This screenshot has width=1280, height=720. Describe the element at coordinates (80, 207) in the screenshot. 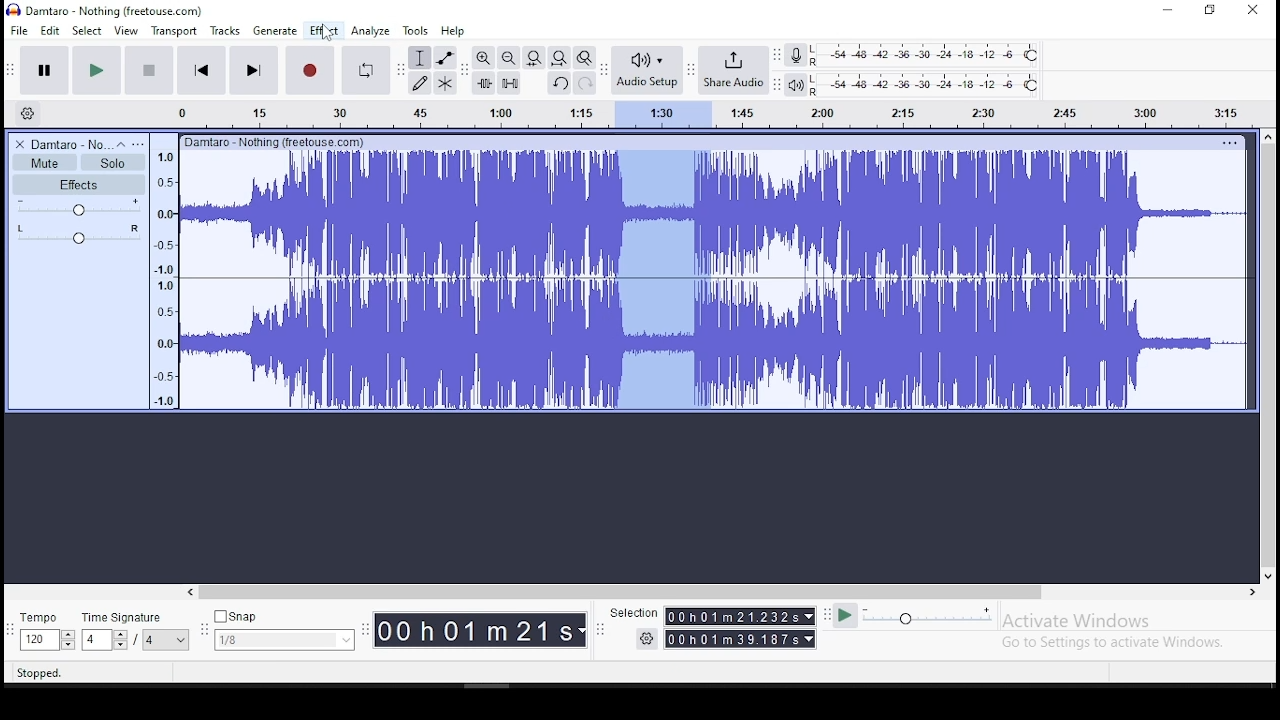

I see `volume` at that location.